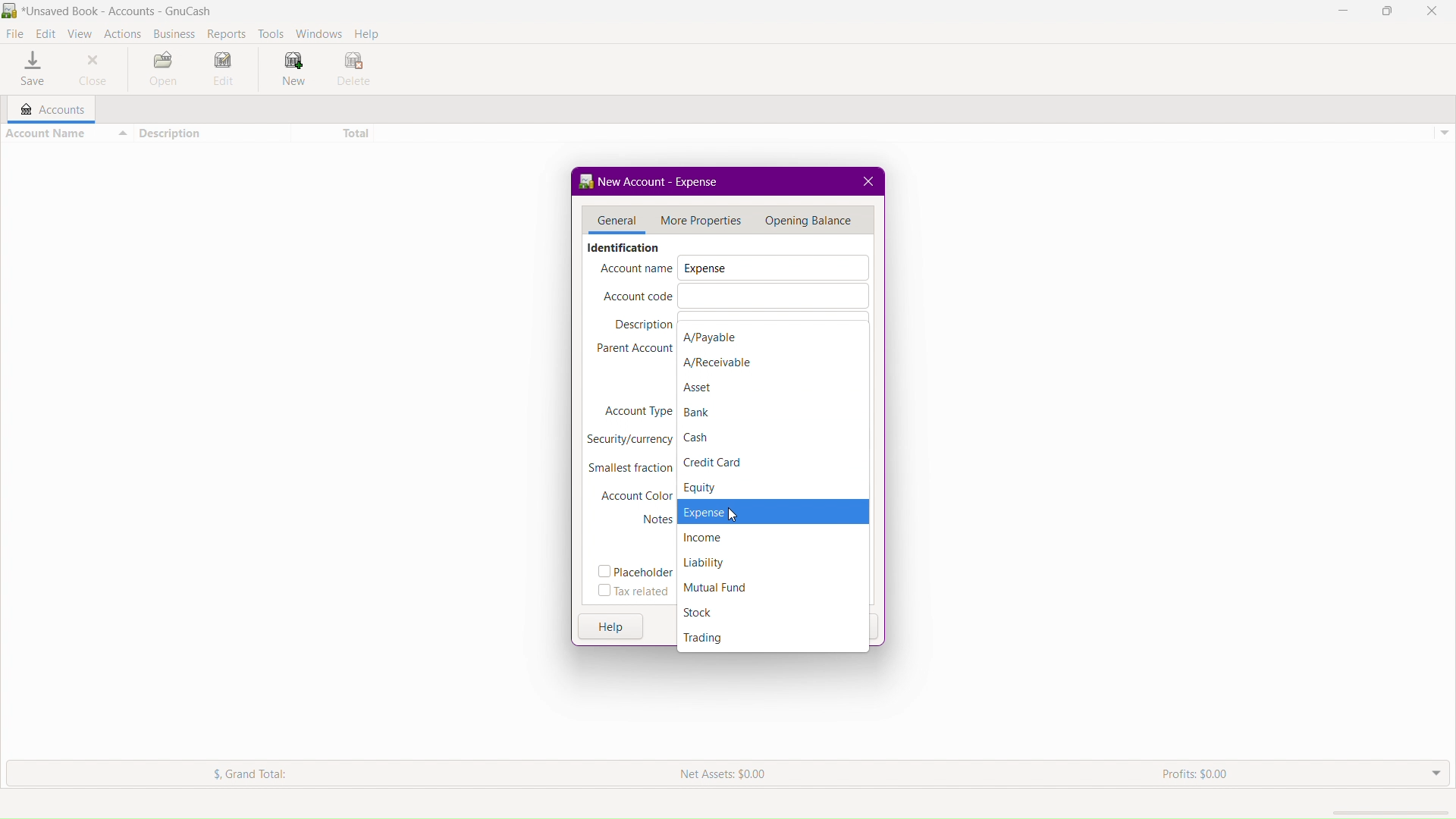 The height and width of the screenshot is (819, 1456). What do you see at coordinates (629, 441) in the screenshot?
I see `Security/Currency` at bounding box center [629, 441].